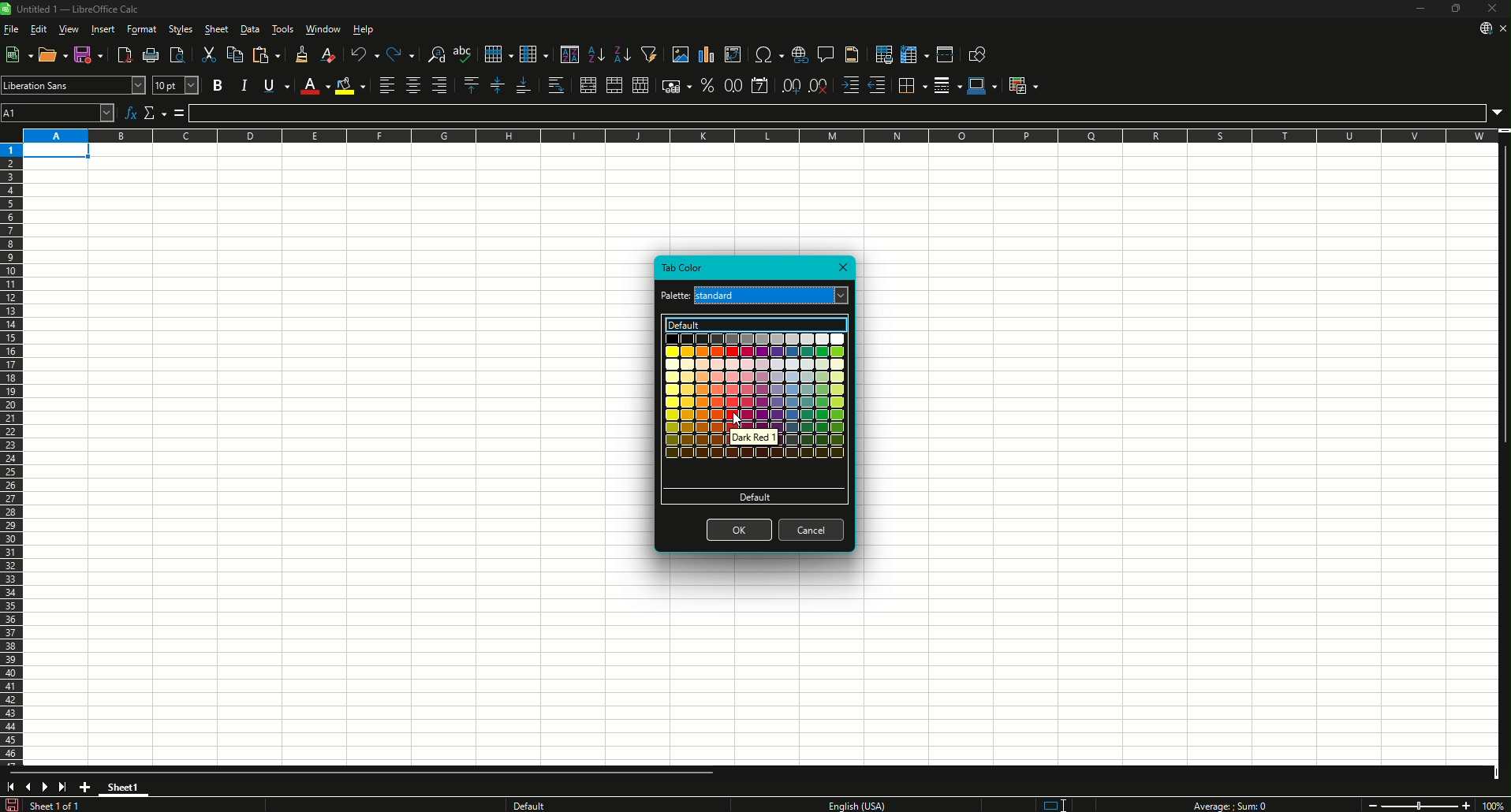  Describe the element at coordinates (878, 85) in the screenshot. I see `Decrease Indent` at that location.